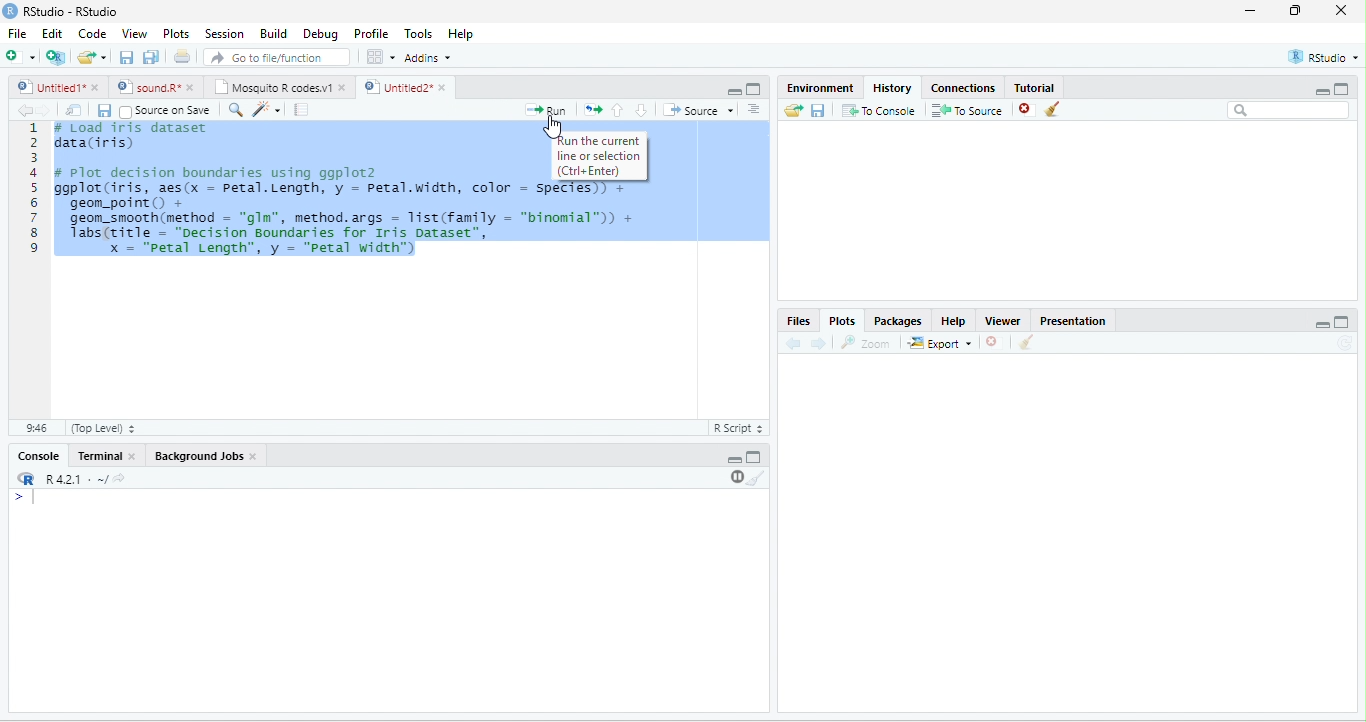 The width and height of the screenshot is (1366, 722). Describe the element at coordinates (9, 11) in the screenshot. I see `logo` at that location.